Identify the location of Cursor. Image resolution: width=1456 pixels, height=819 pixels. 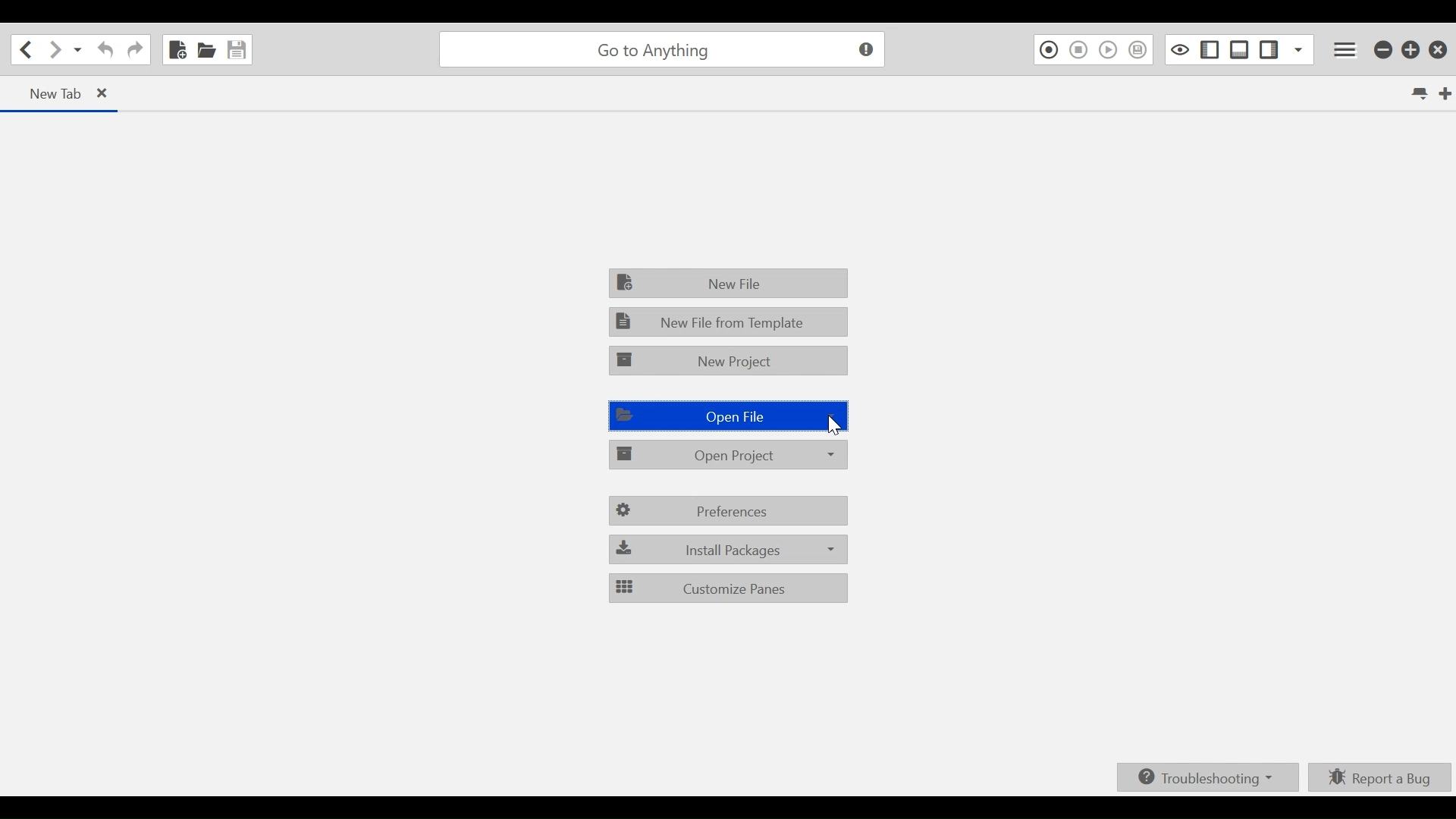
(836, 426).